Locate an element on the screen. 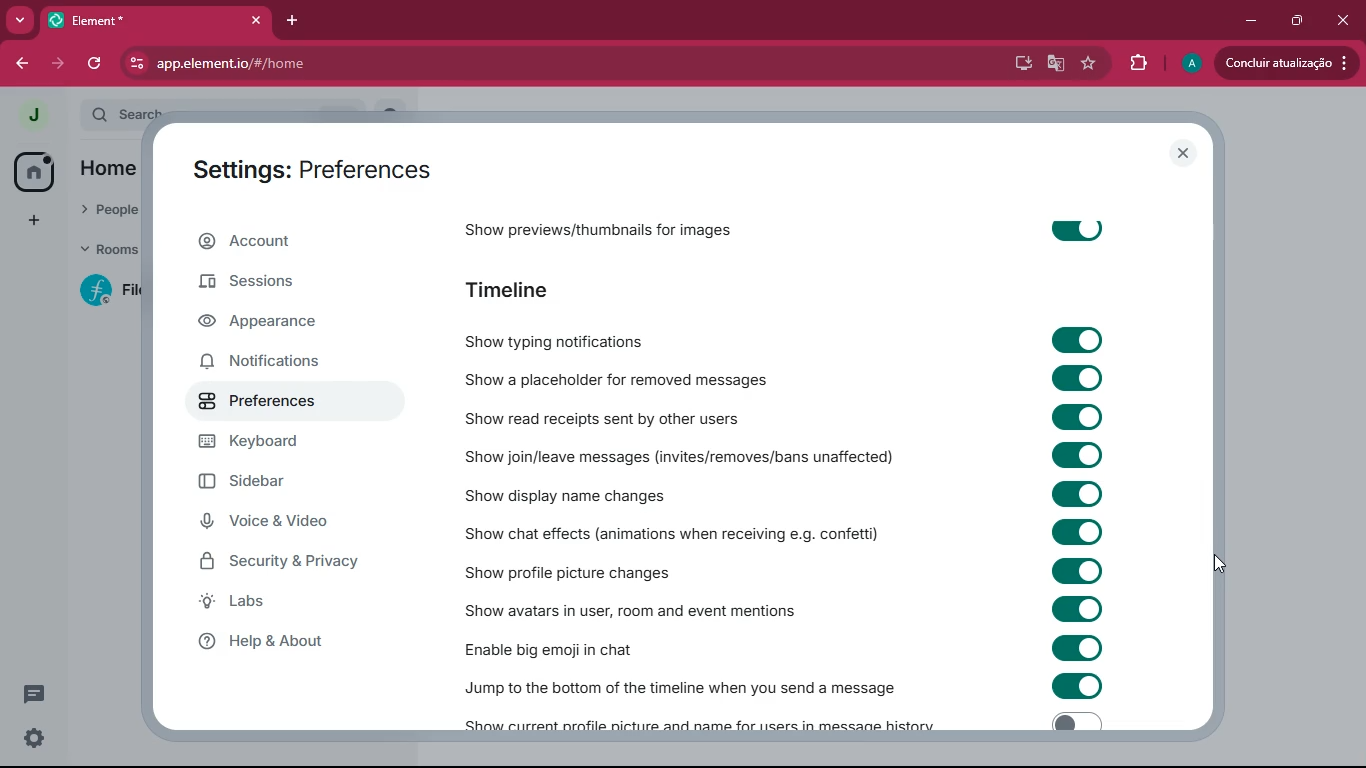 The image size is (1366, 768). toggle on is located at coordinates (1075, 229).